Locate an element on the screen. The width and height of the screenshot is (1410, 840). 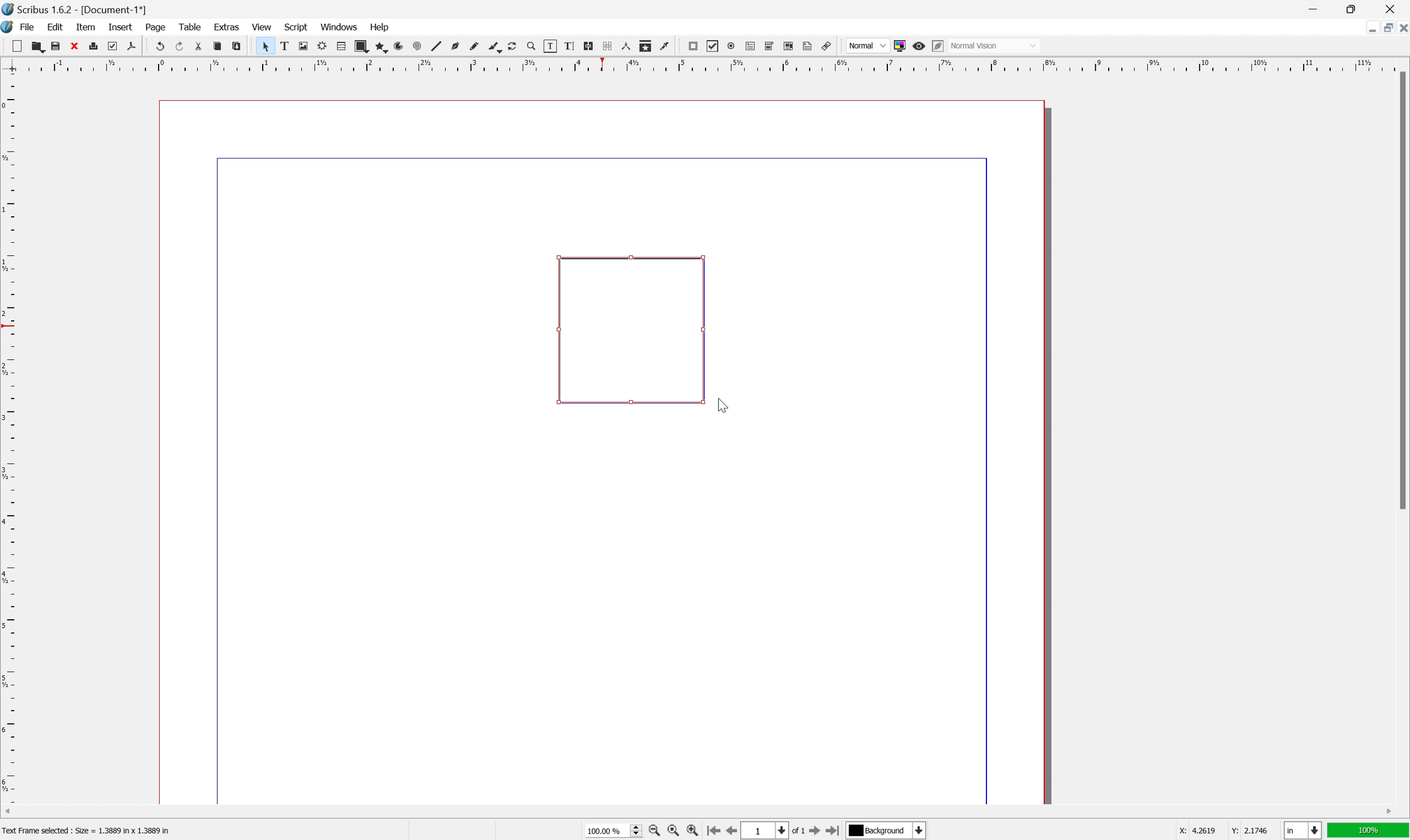
select current layer is located at coordinates (888, 831).